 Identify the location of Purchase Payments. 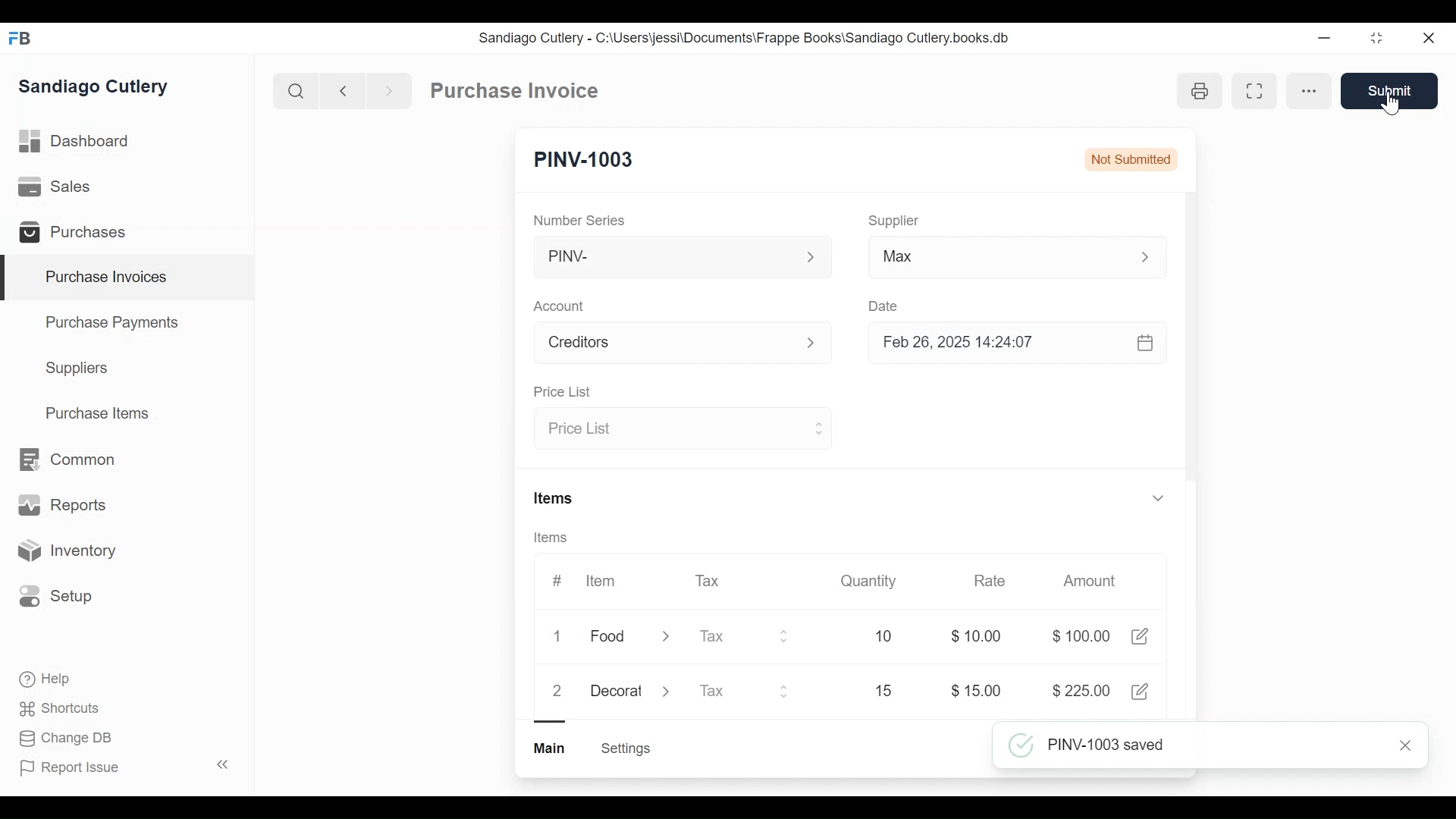
(115, 325).